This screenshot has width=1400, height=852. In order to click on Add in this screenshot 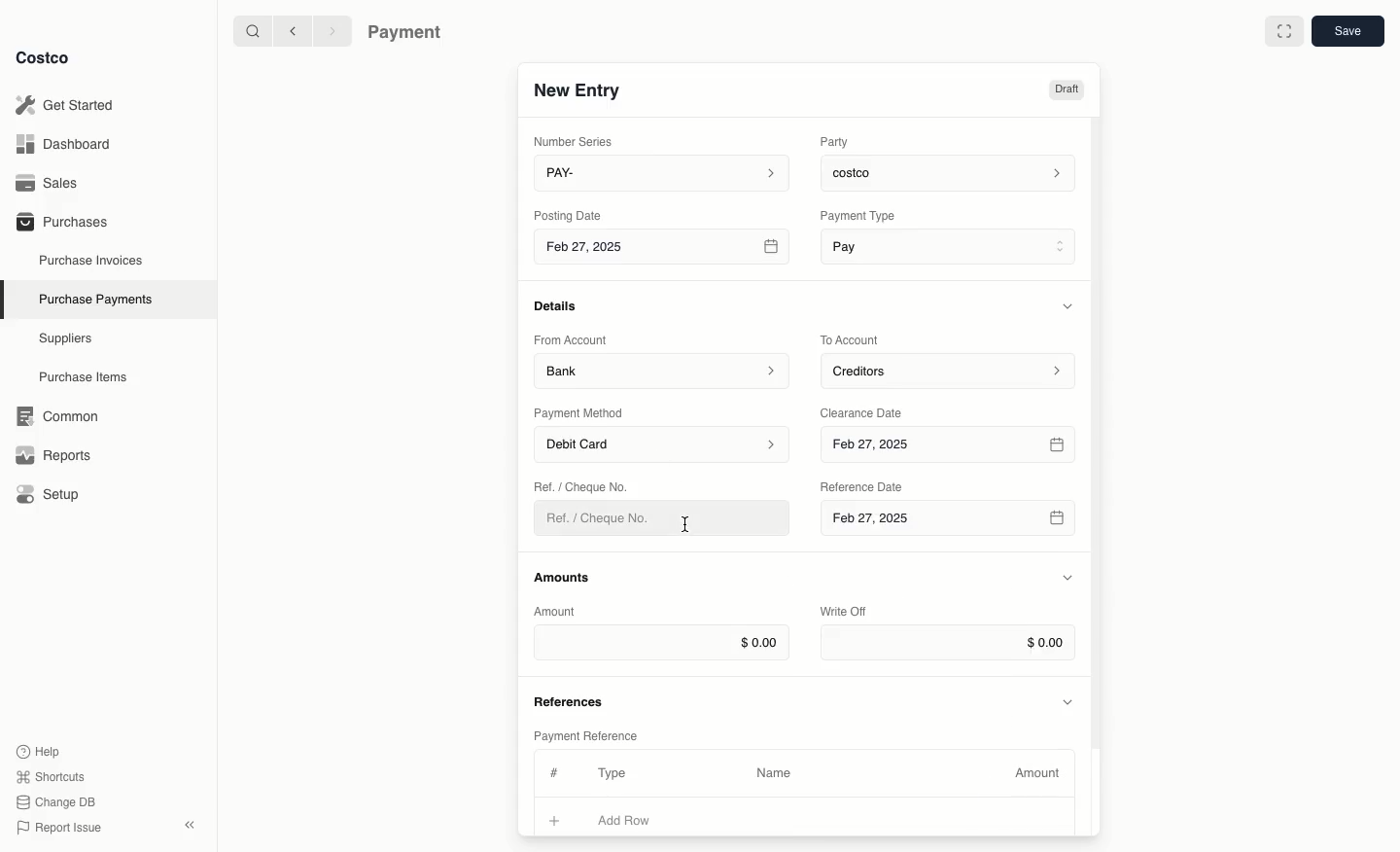, I will do `click(555, 818)`.